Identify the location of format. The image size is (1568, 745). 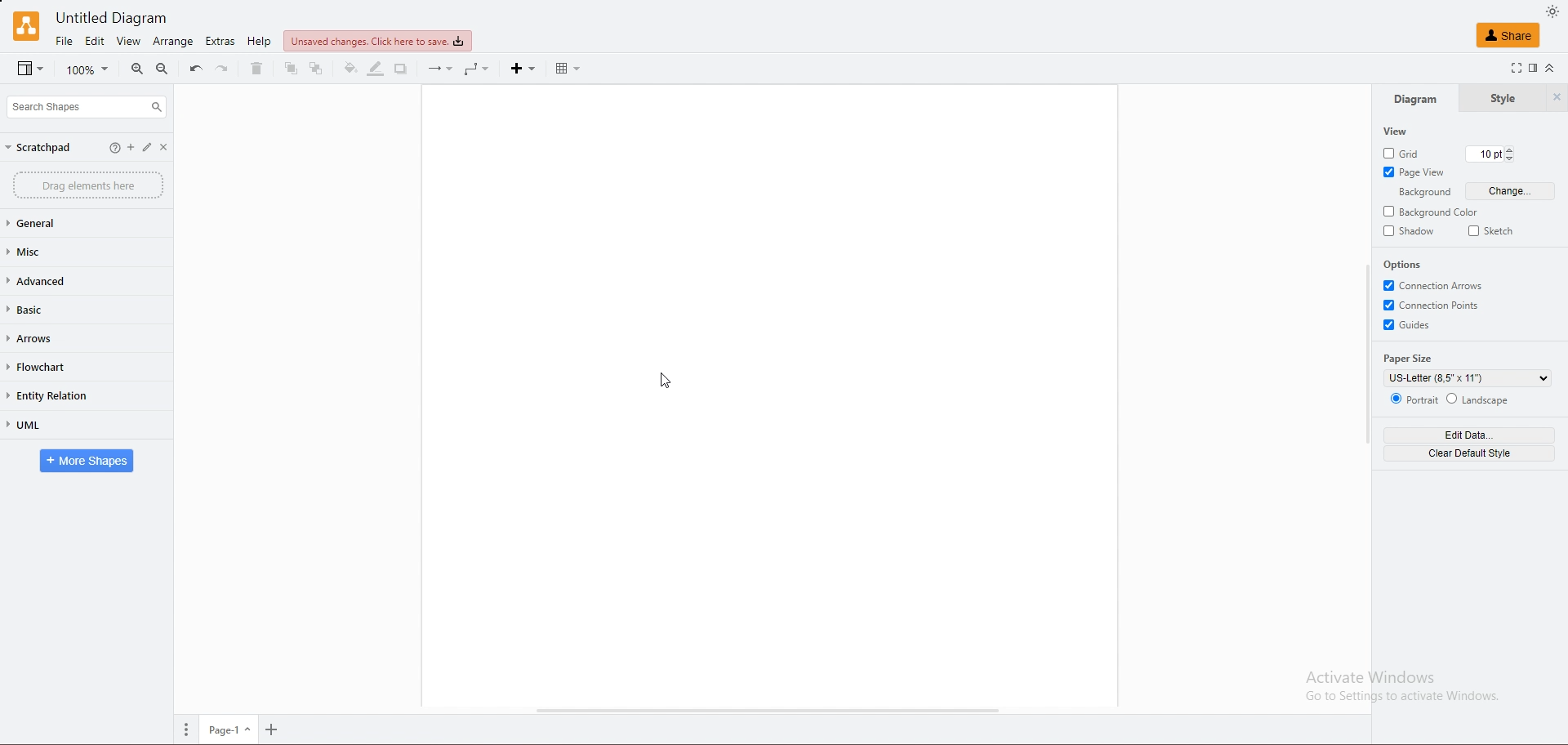
(1535, 68).